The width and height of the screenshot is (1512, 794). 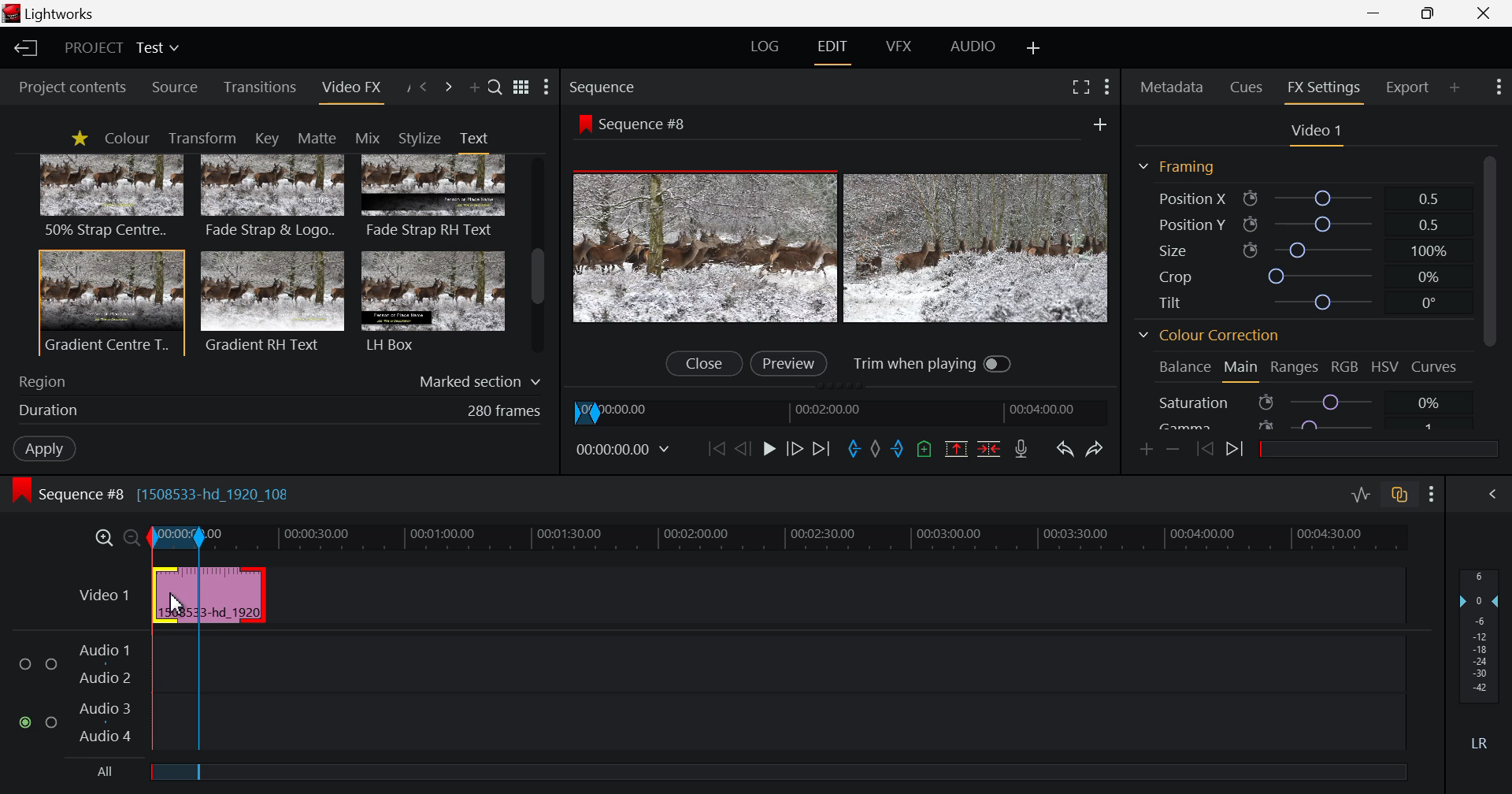 I want to click on Gradient RH Text, so click(x=269, y=301).